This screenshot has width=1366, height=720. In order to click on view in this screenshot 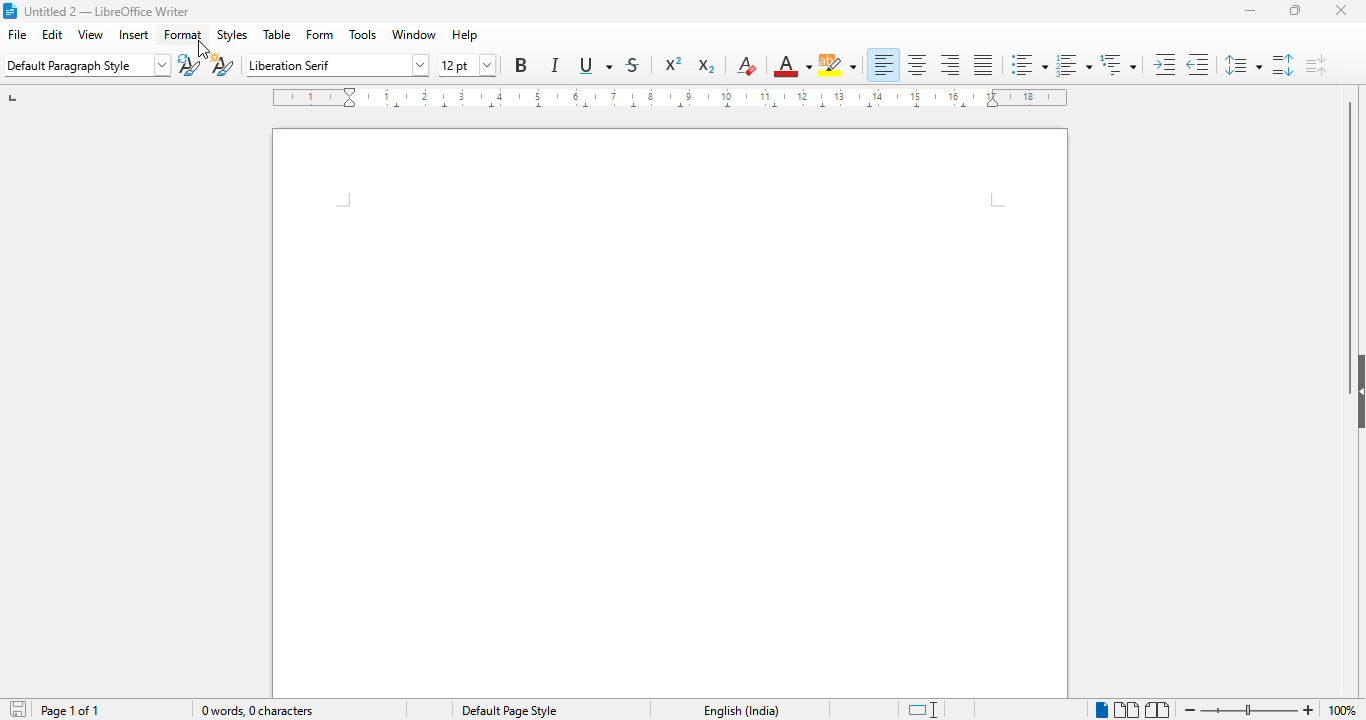, I will do `click(90, 34)`.